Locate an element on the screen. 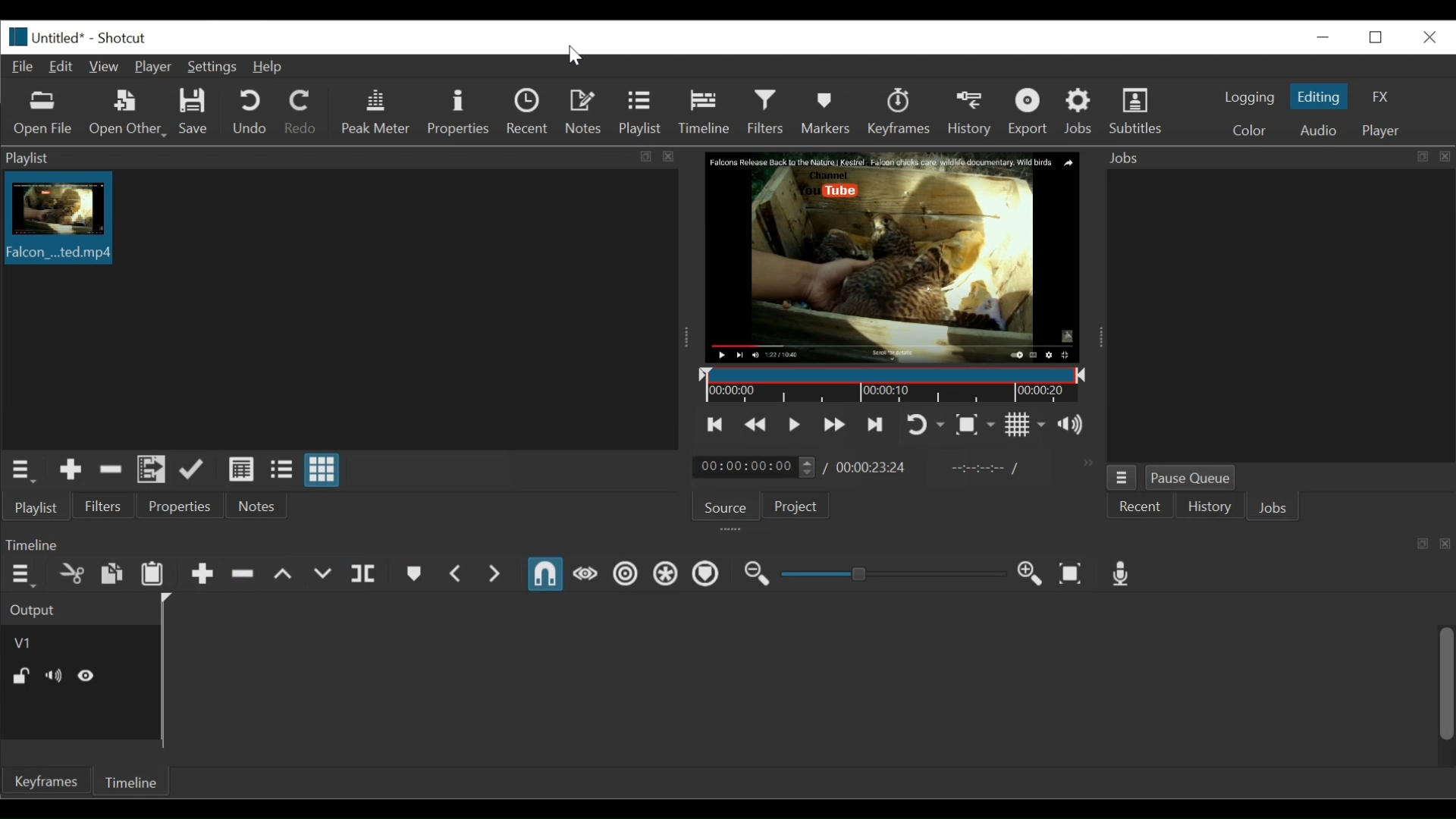 The width and height of the screenshot is (1456, 819). Copy is located at coordinates (111, 573).